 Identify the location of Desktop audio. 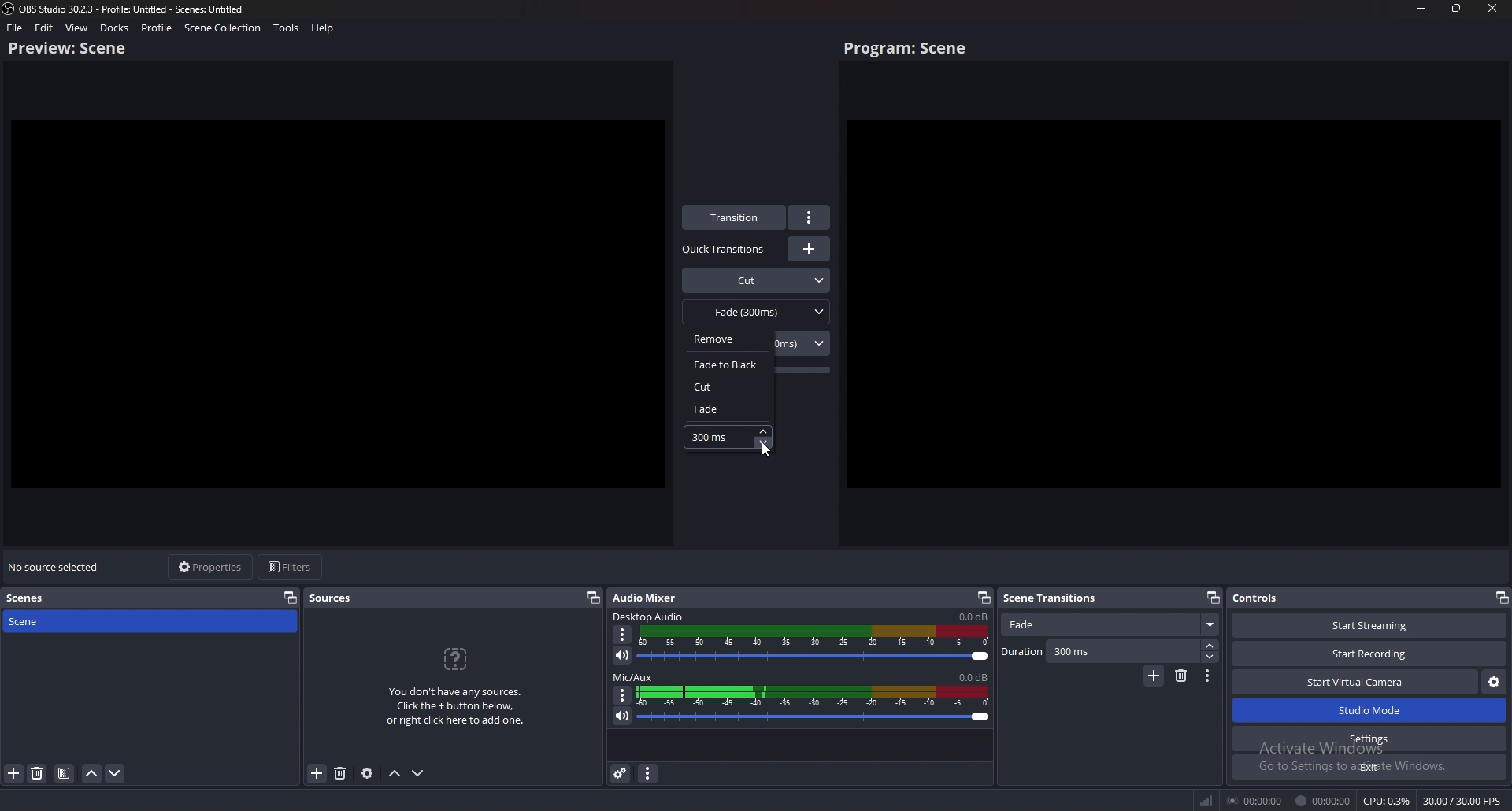
(650, 616).